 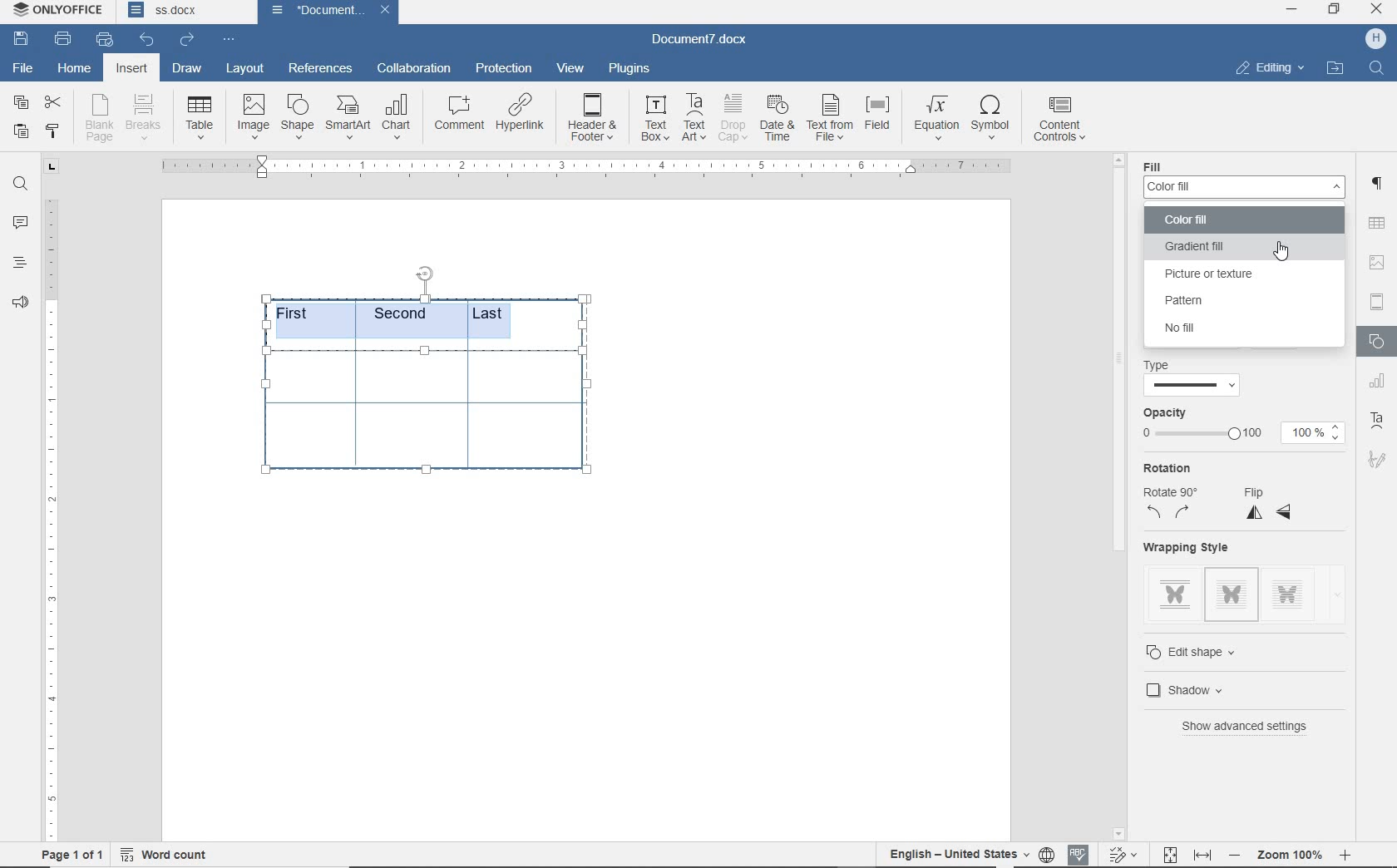 I want to click on comment, so click(x=458, y=116).